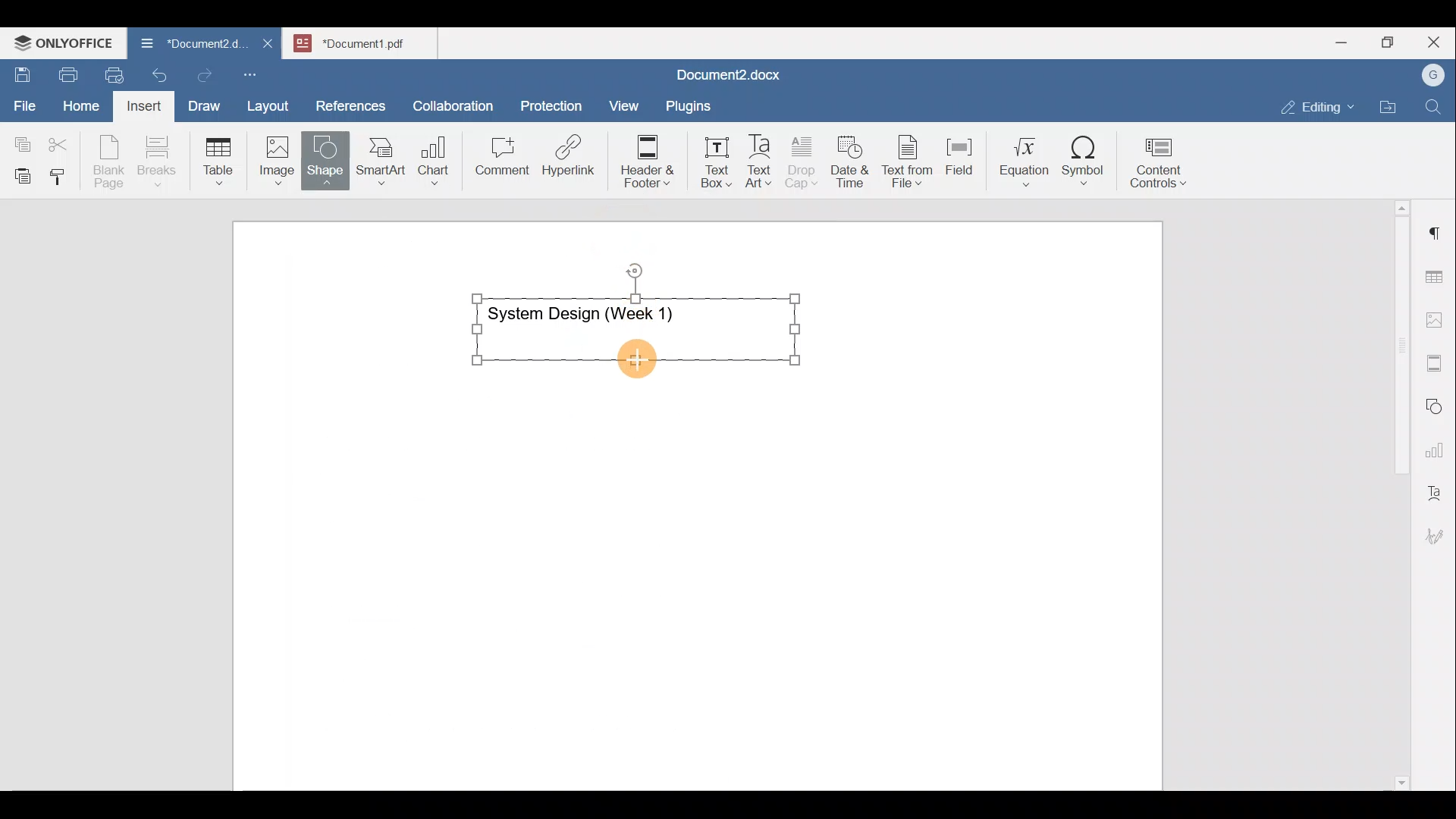 Image resolution: width=1456 pixels, height=819 pixels. Describe the element at coordinates (706, 162) in the screenshot. I see `Text box` at that location.